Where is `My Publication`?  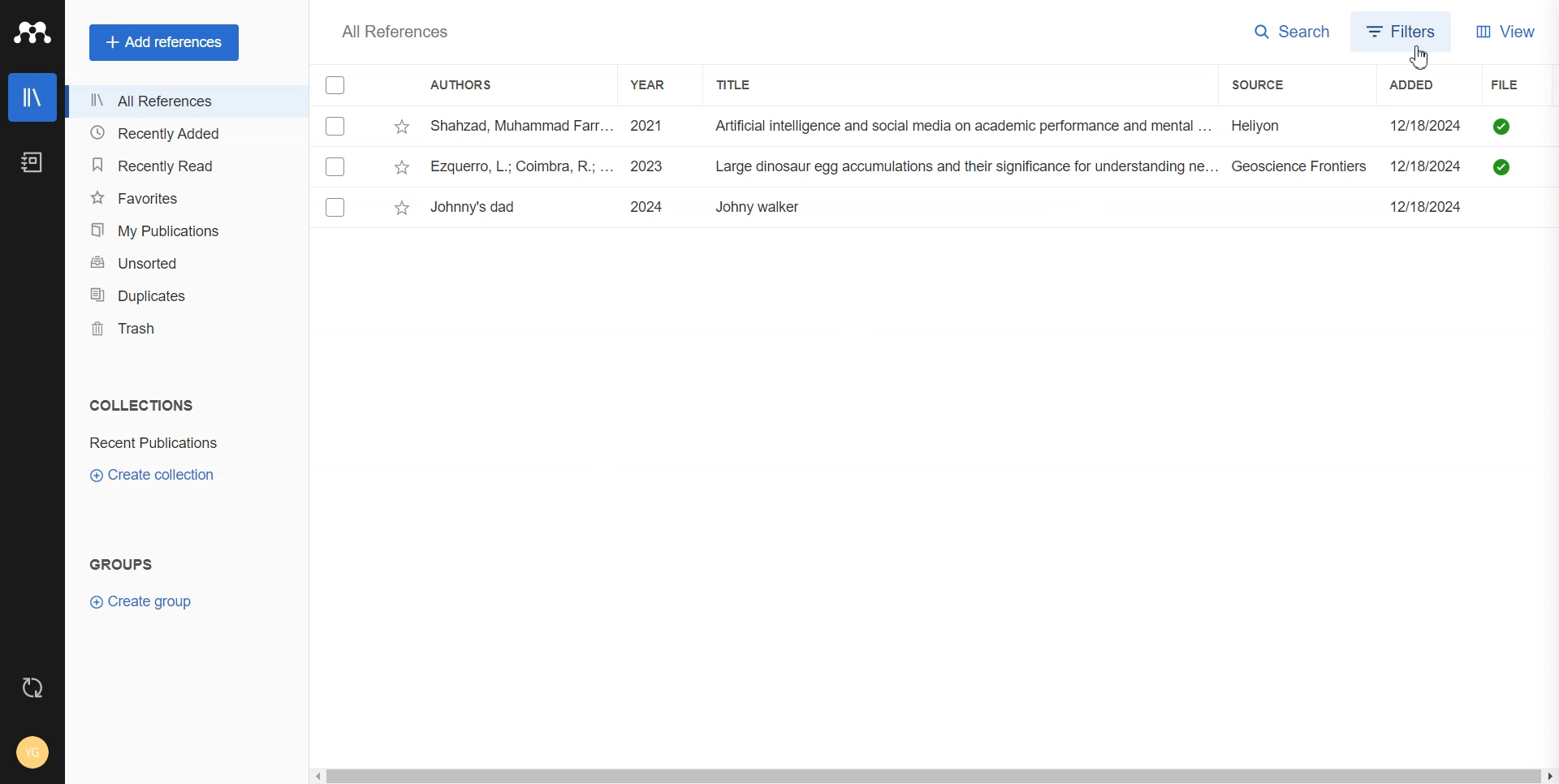
My Publication is located at coordinates (182, 230).